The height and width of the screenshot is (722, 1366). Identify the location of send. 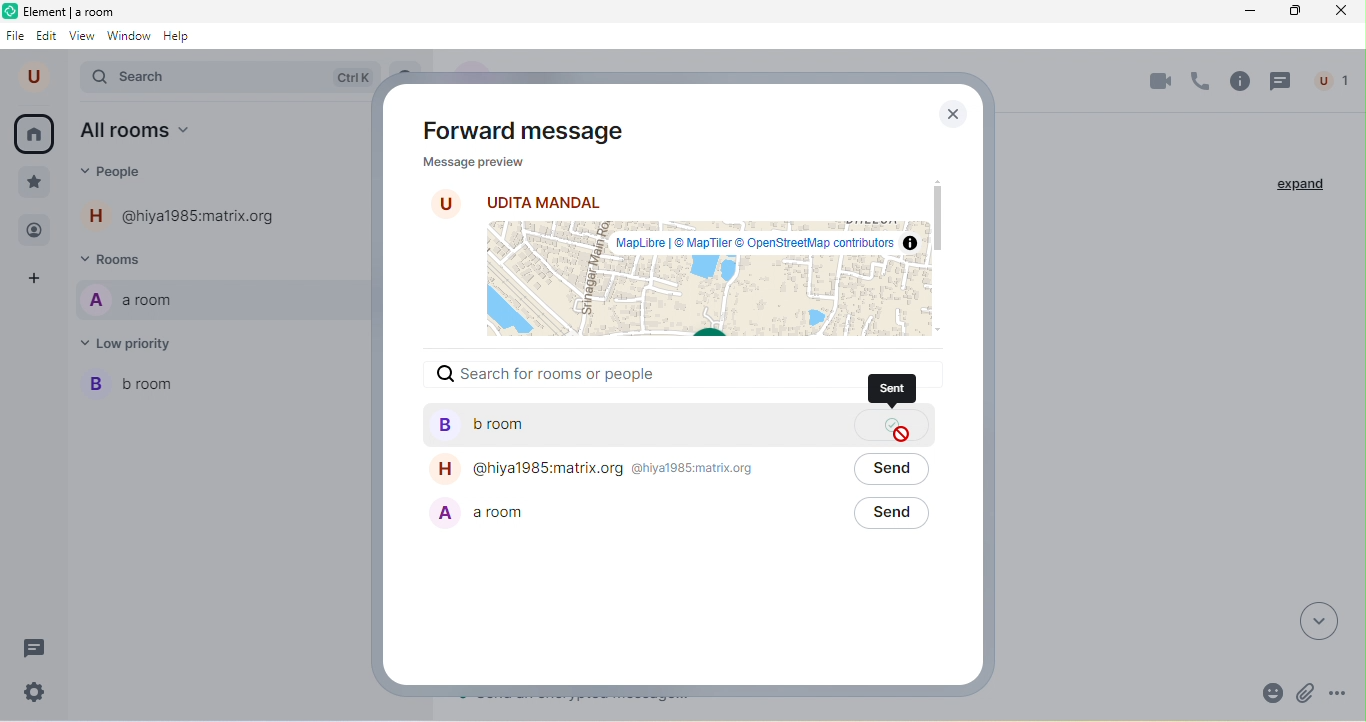
(900, 479).